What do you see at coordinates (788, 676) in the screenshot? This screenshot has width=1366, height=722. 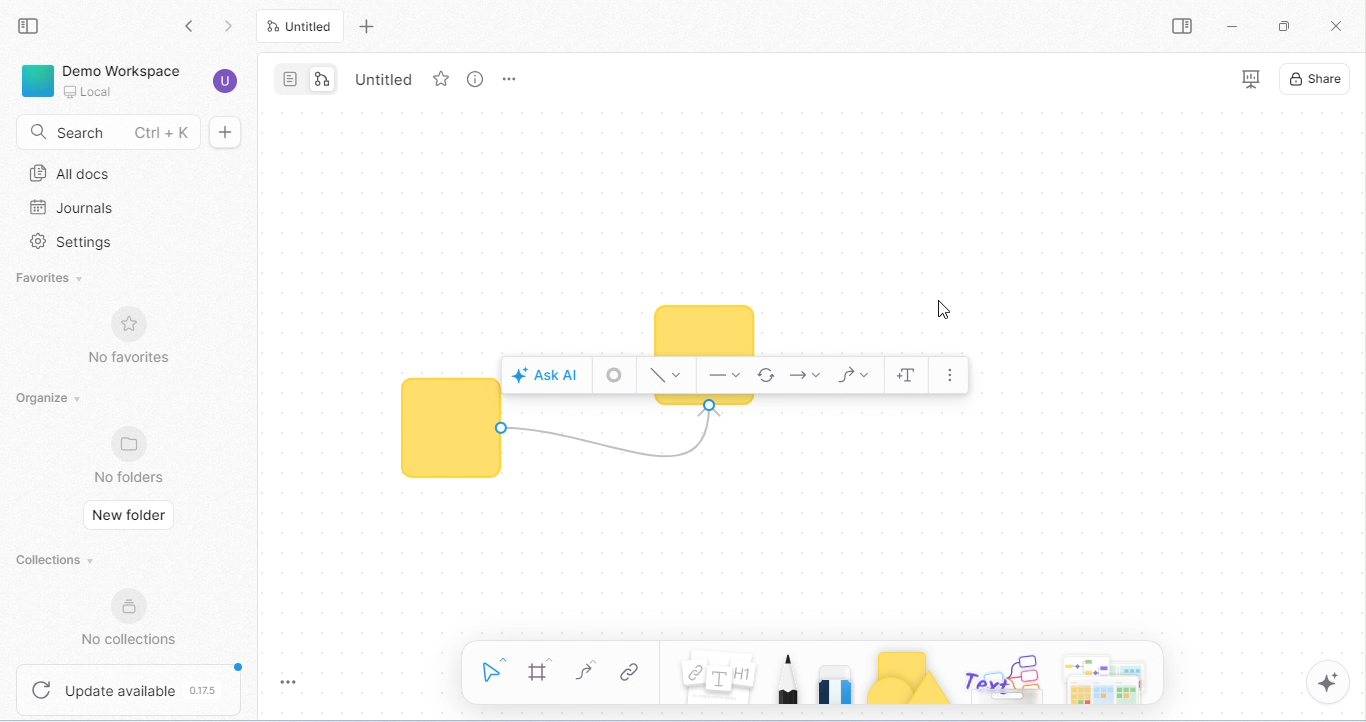 I see `pencil` at bounding box center [788, 676].